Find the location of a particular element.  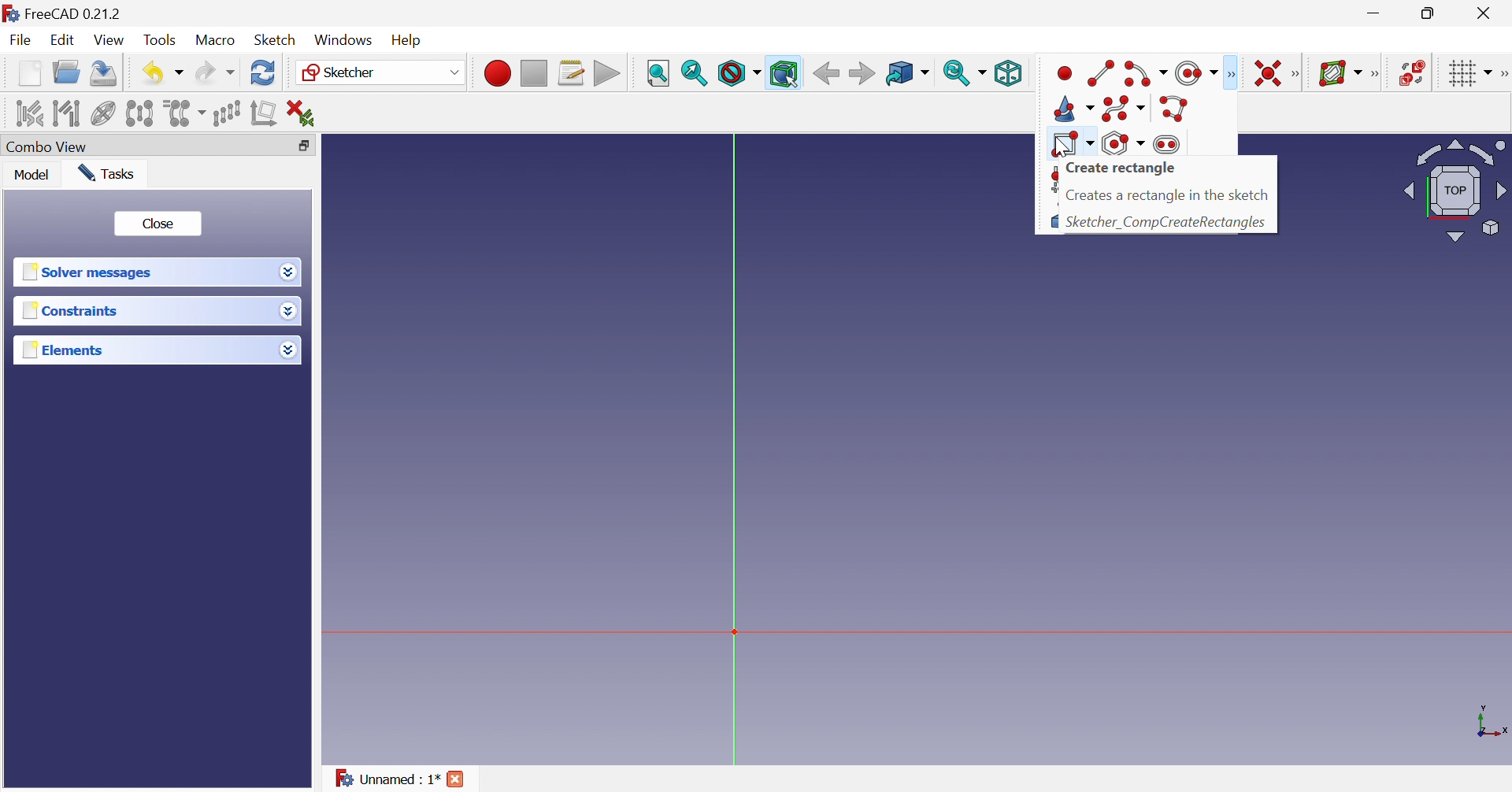

Elements is located at coordinates (65, 350).